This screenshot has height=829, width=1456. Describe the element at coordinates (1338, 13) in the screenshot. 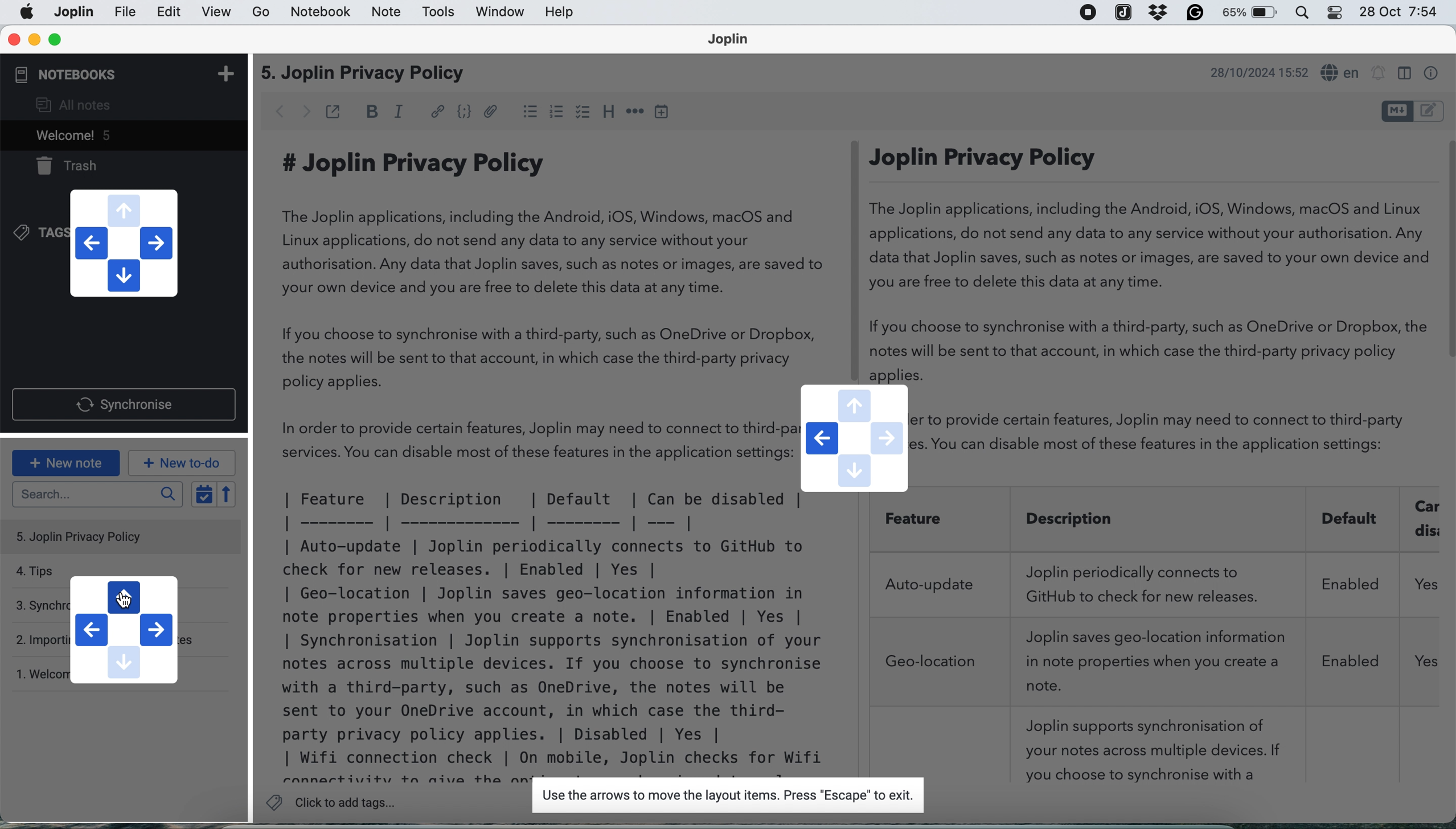

I see `control center` at that location.